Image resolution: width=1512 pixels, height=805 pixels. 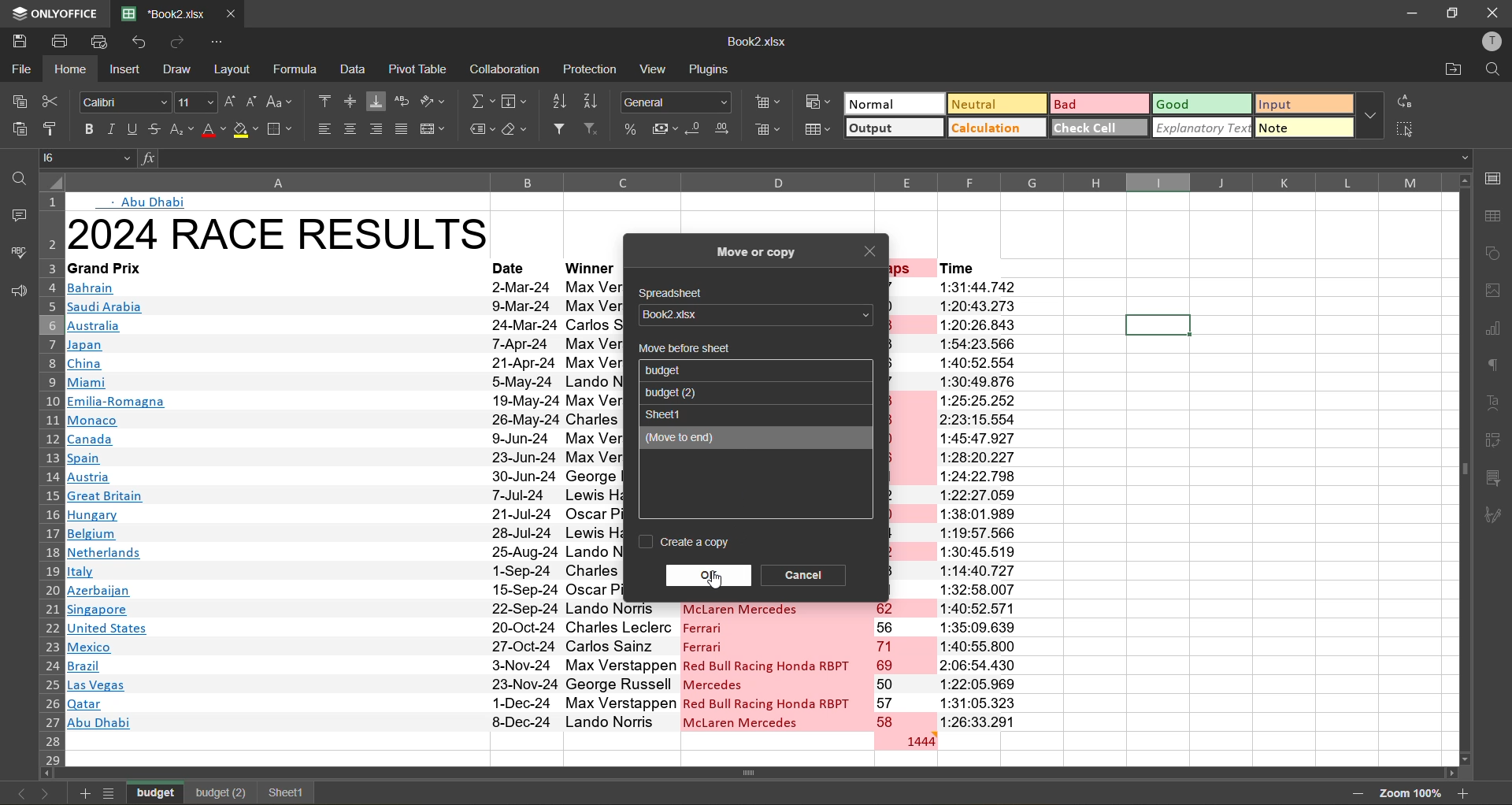 What do you see at coordinates (481, 130) in the screenshot?
I see `named ranges` at bounding box center [481, 130].